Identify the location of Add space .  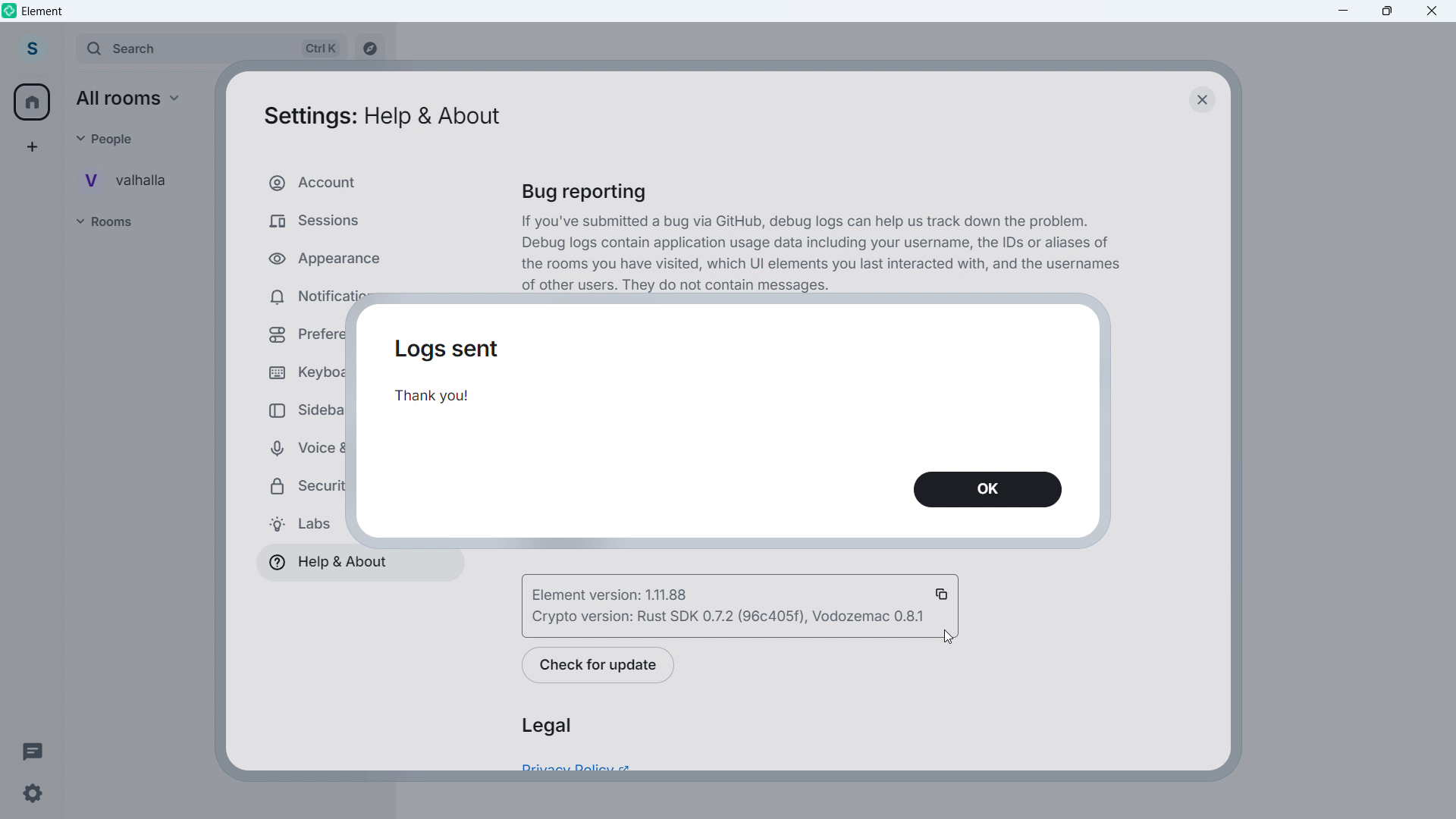
(30, 146).